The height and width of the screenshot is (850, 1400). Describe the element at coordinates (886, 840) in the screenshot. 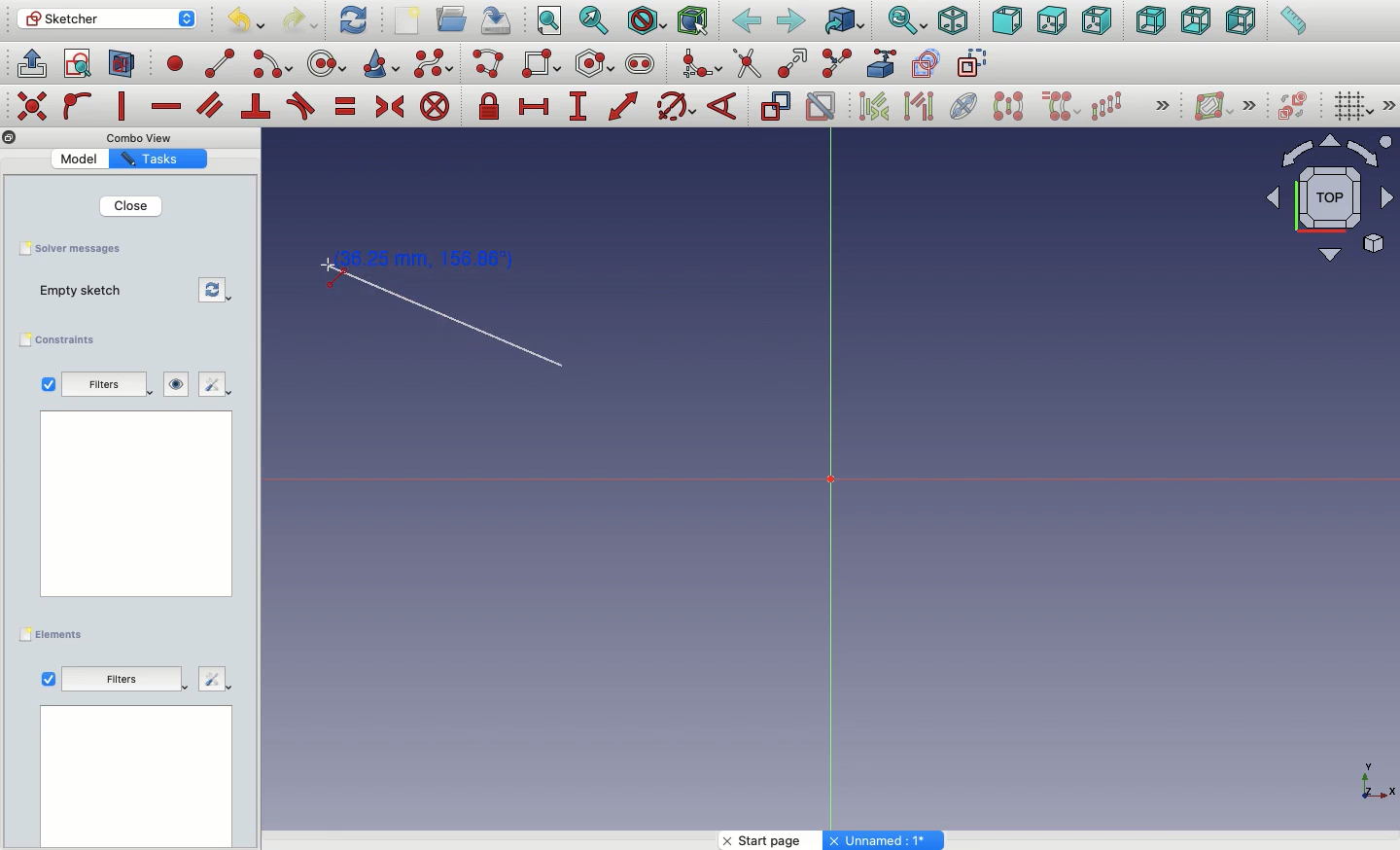

I see `` at that location.